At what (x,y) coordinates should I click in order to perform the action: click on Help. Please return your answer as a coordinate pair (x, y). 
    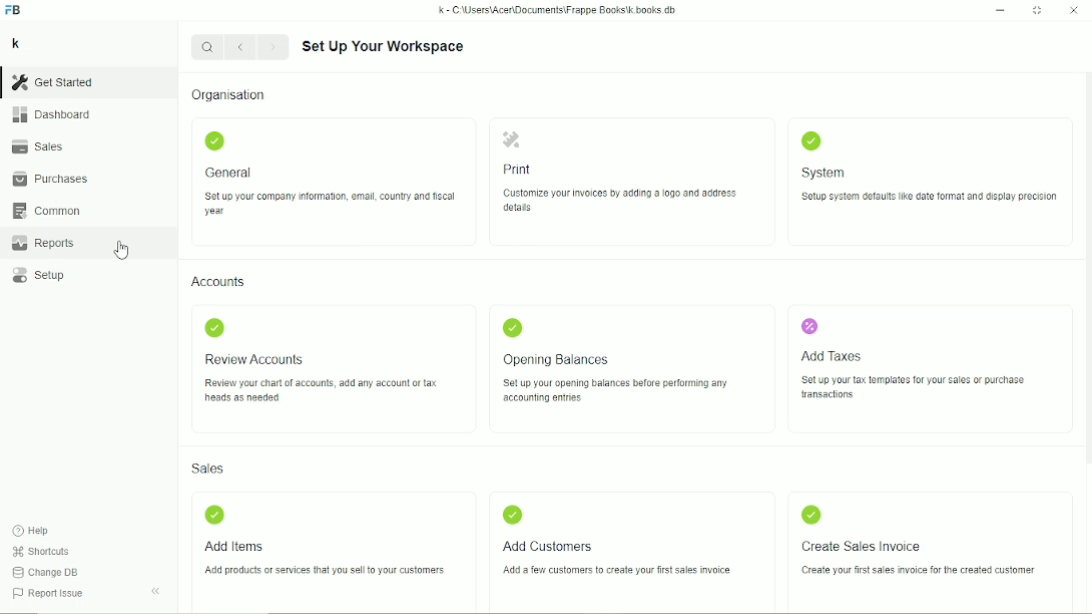
    Looking at the image, I should click on (33, 531).